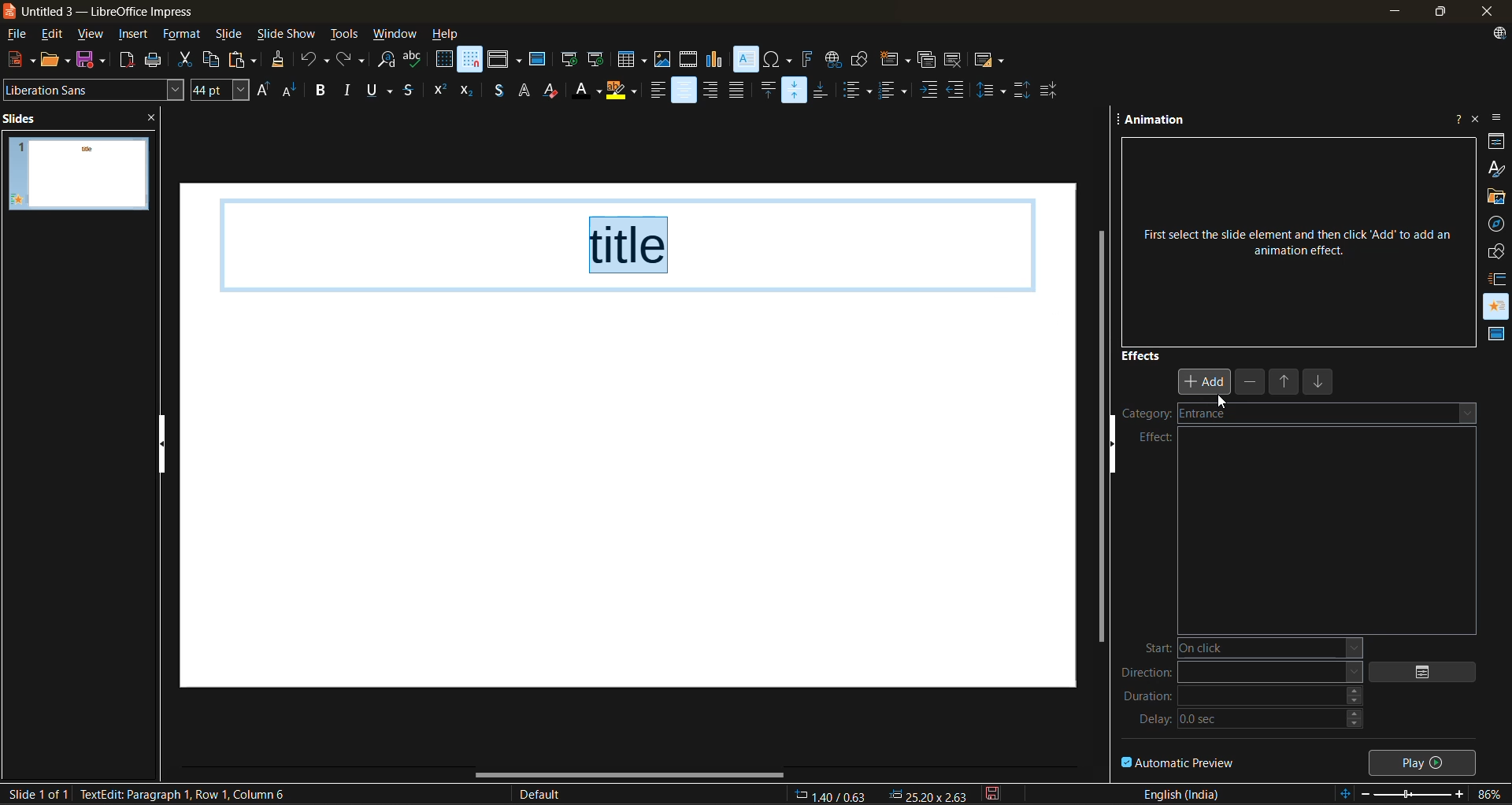 This screenshot has height=805, width=1512. Describe the element at coordinates (1458, 116) in the screenshot. I see `help about this sidebar deck` at that location.